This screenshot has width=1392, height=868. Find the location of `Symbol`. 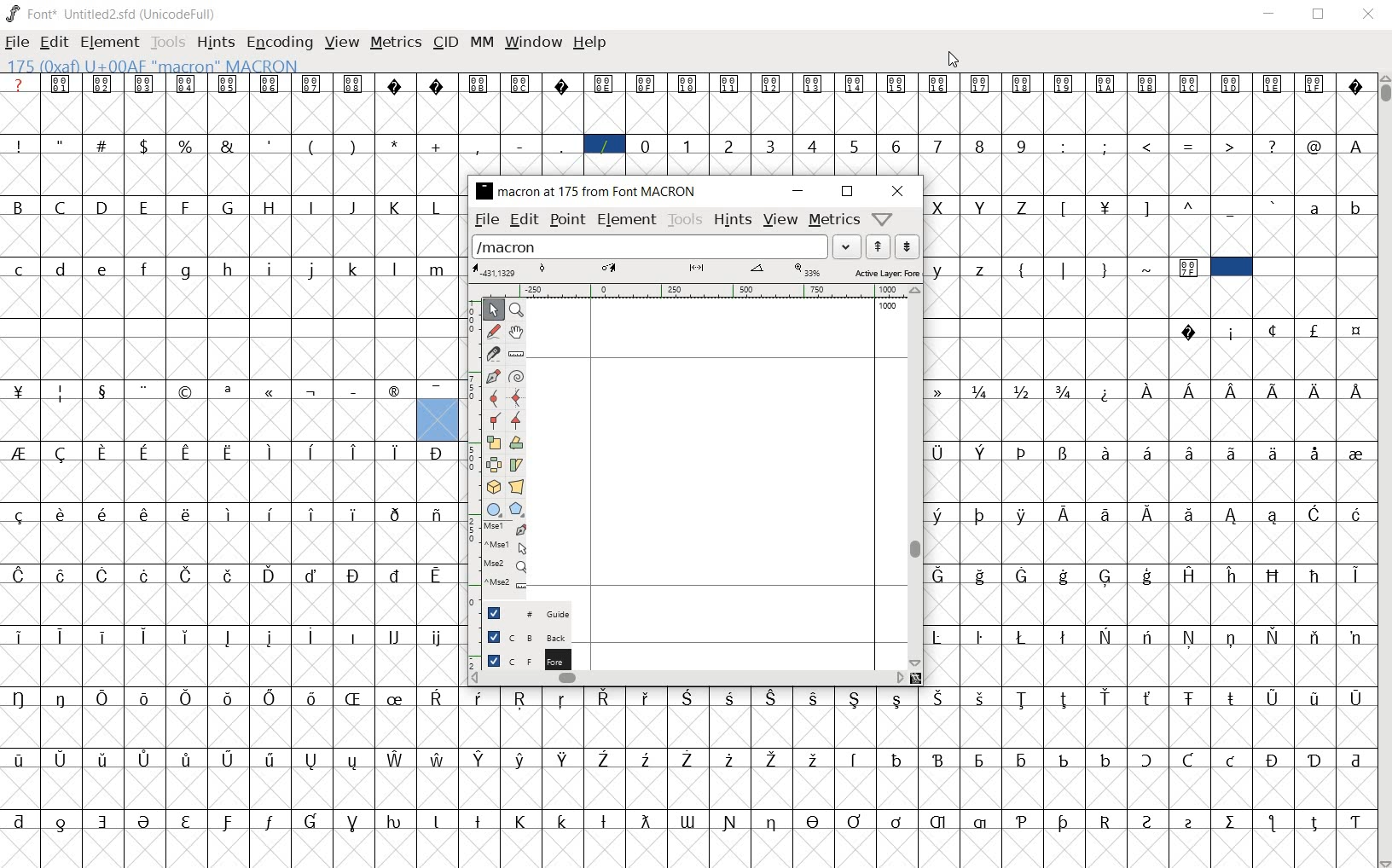

Symbol is located at coordinates (1189, 697).